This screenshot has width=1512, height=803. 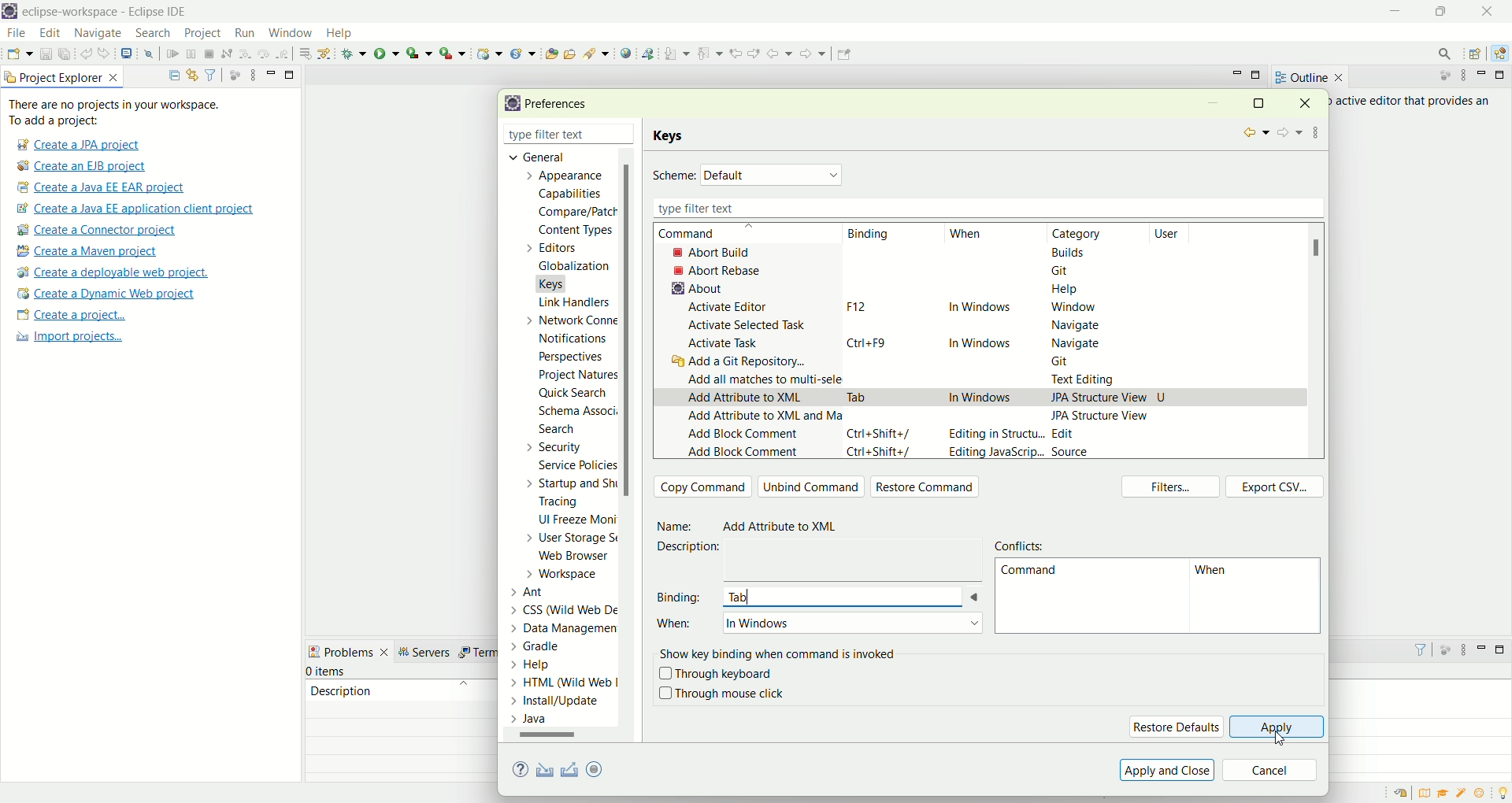 What do you see at coordinates (966, 235) in the screenshot?
I see `when` at bounding box center [966, 235].